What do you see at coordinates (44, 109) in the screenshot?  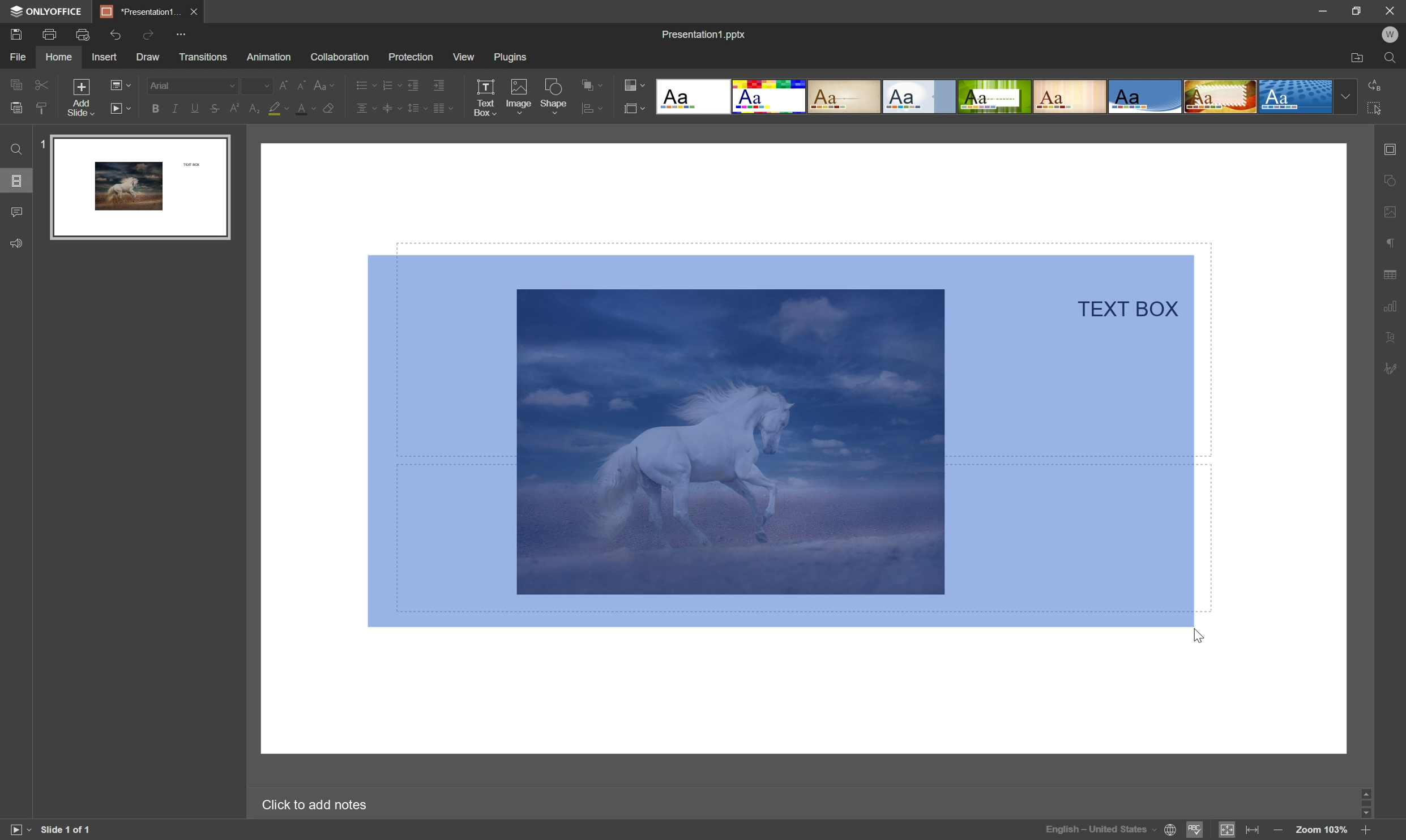 I see `clear style` at bounding box center [44, 109].